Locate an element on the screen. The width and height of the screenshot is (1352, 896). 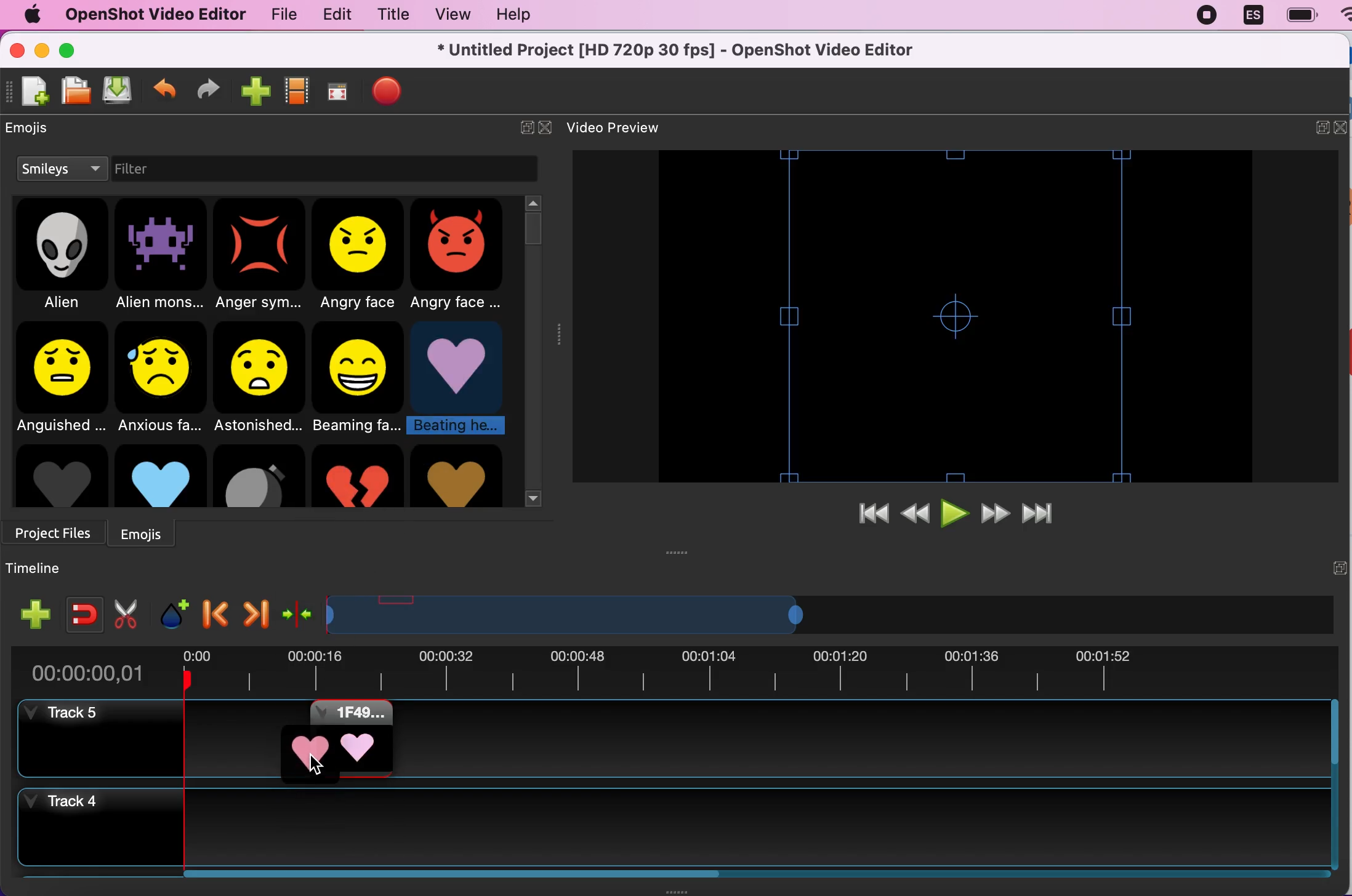
beating heart is located at coordinates (467, 381).